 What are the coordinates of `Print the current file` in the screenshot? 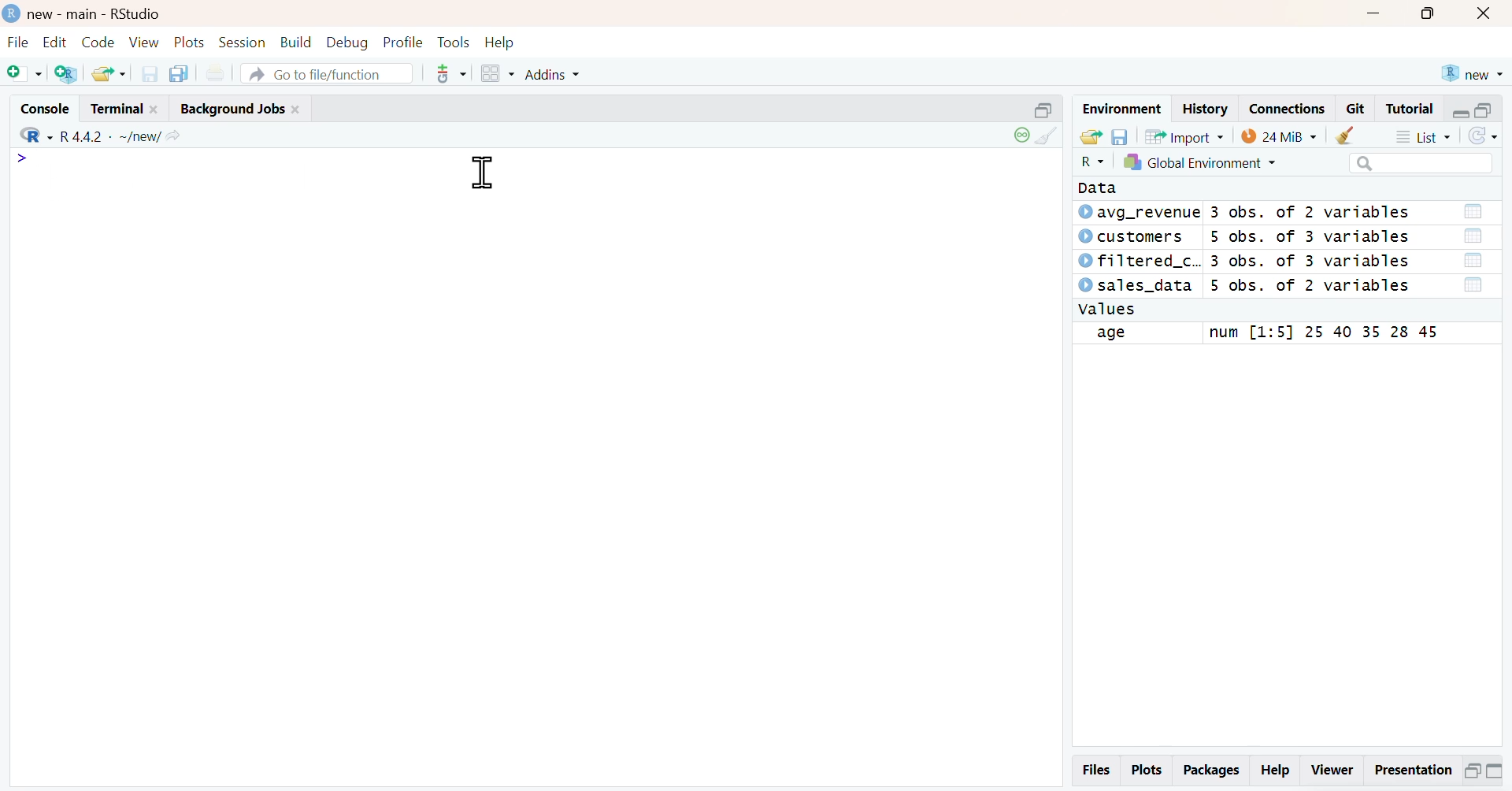 It's located at (213, 73).